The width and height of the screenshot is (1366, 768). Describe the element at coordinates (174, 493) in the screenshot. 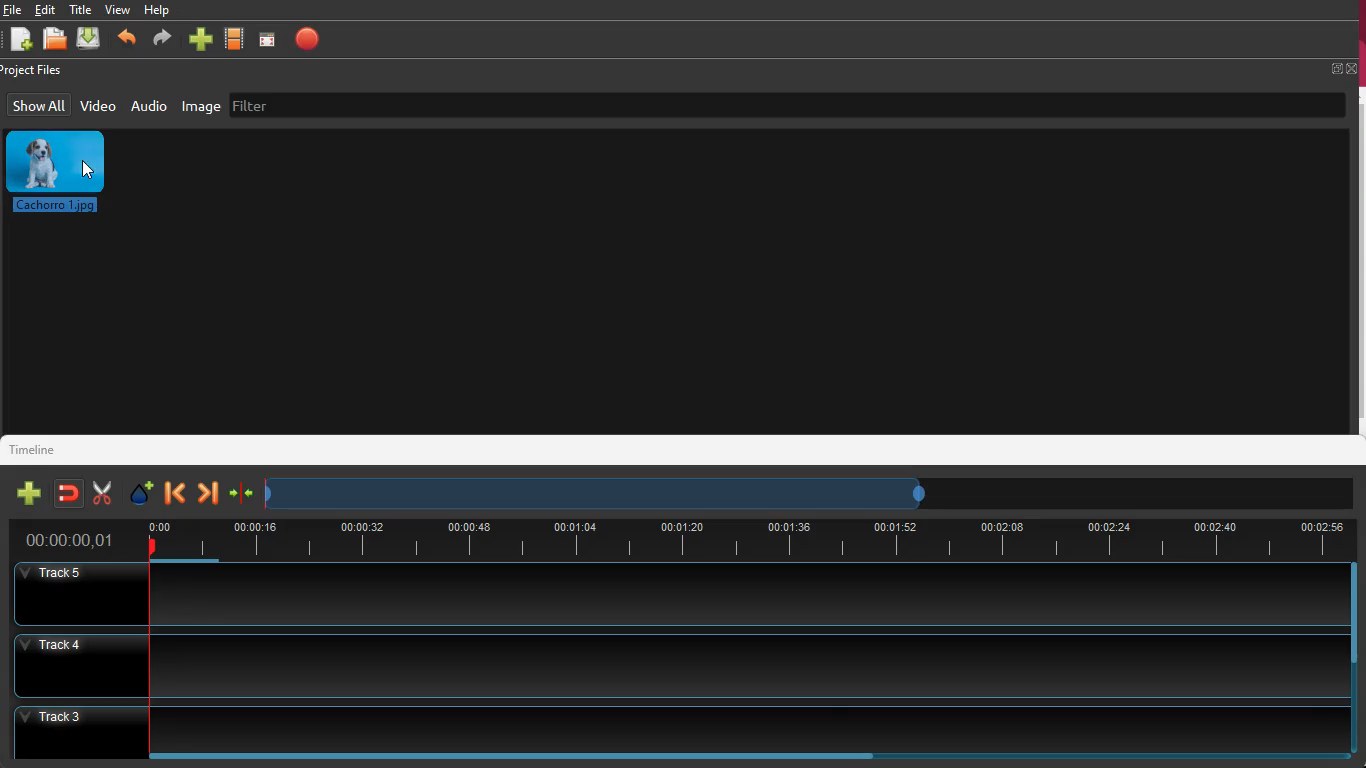

I see `backward` at that location.